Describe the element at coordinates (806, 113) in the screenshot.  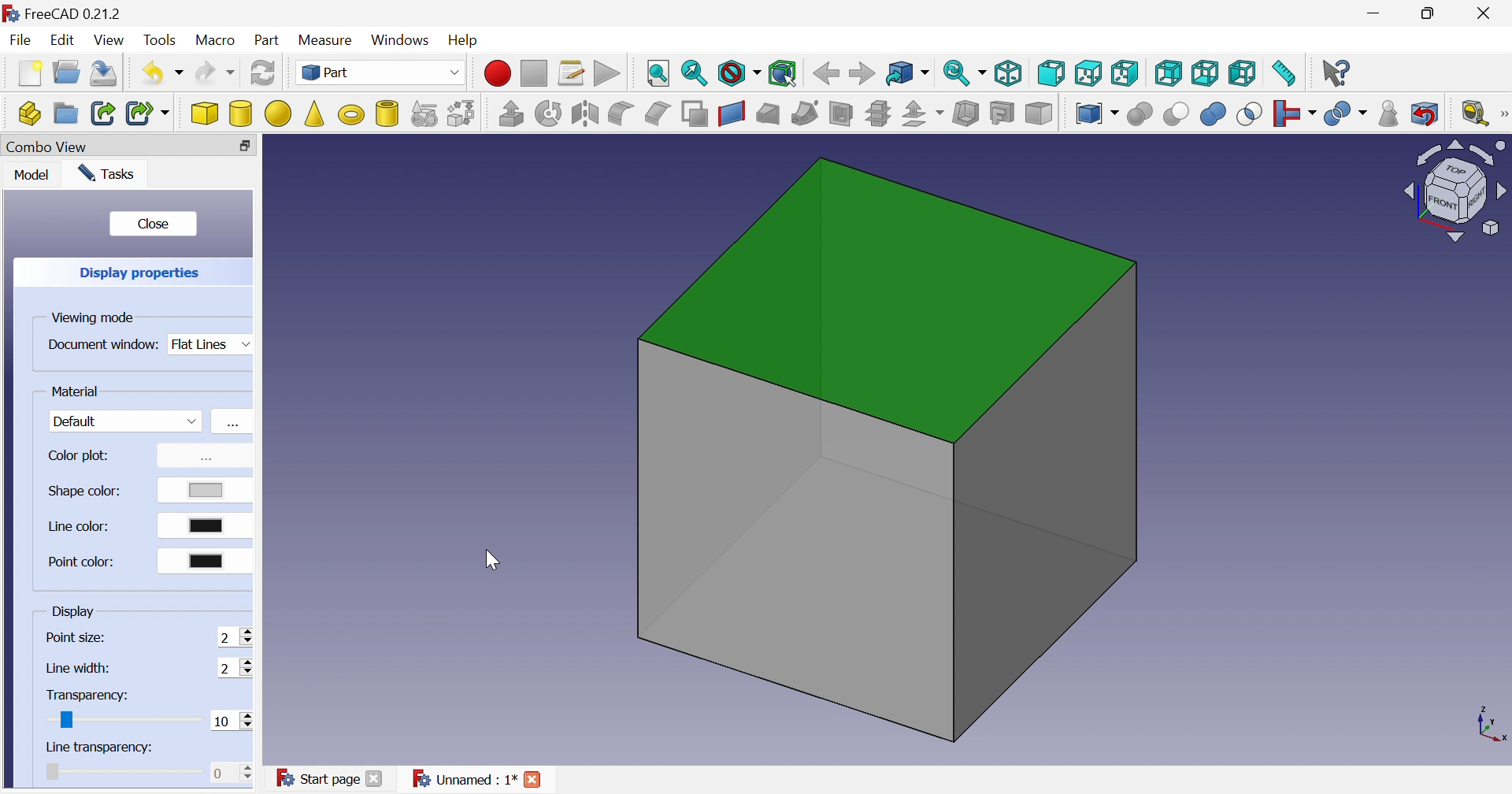
I see `Sweep` at that location.